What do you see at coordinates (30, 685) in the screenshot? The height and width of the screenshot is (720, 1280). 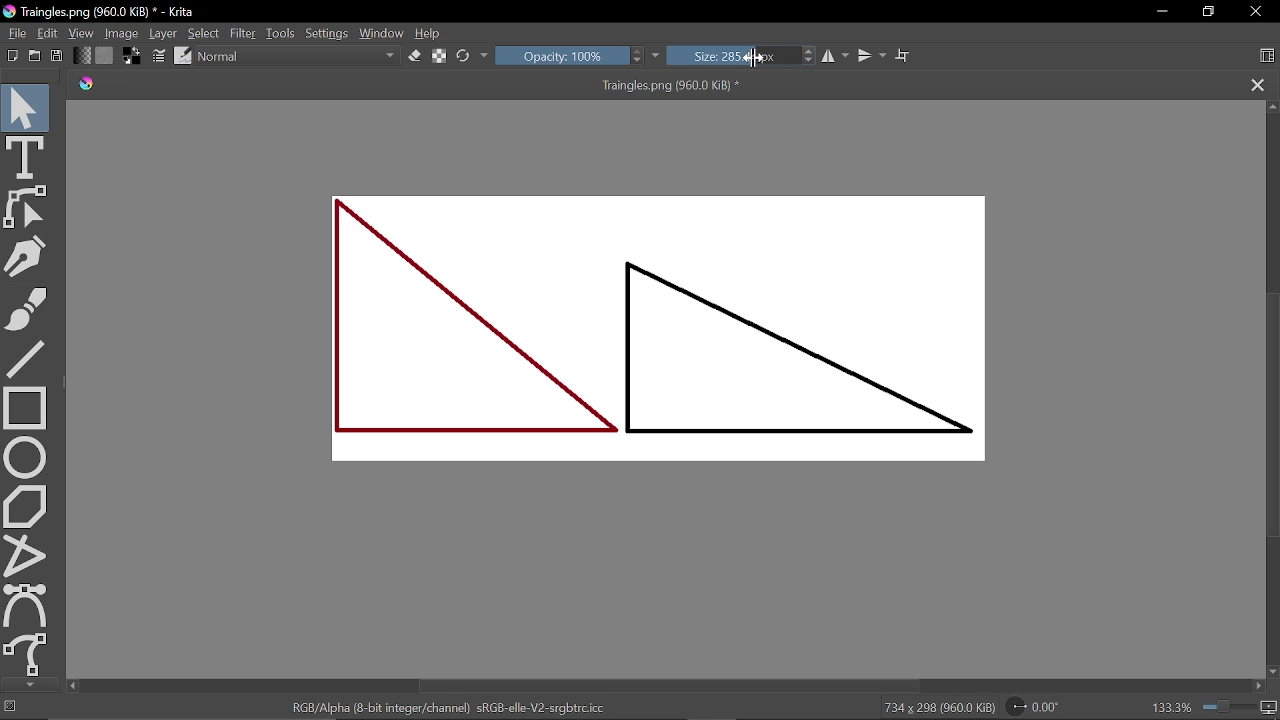 I see `Move down` at bounding box center [30, 685].